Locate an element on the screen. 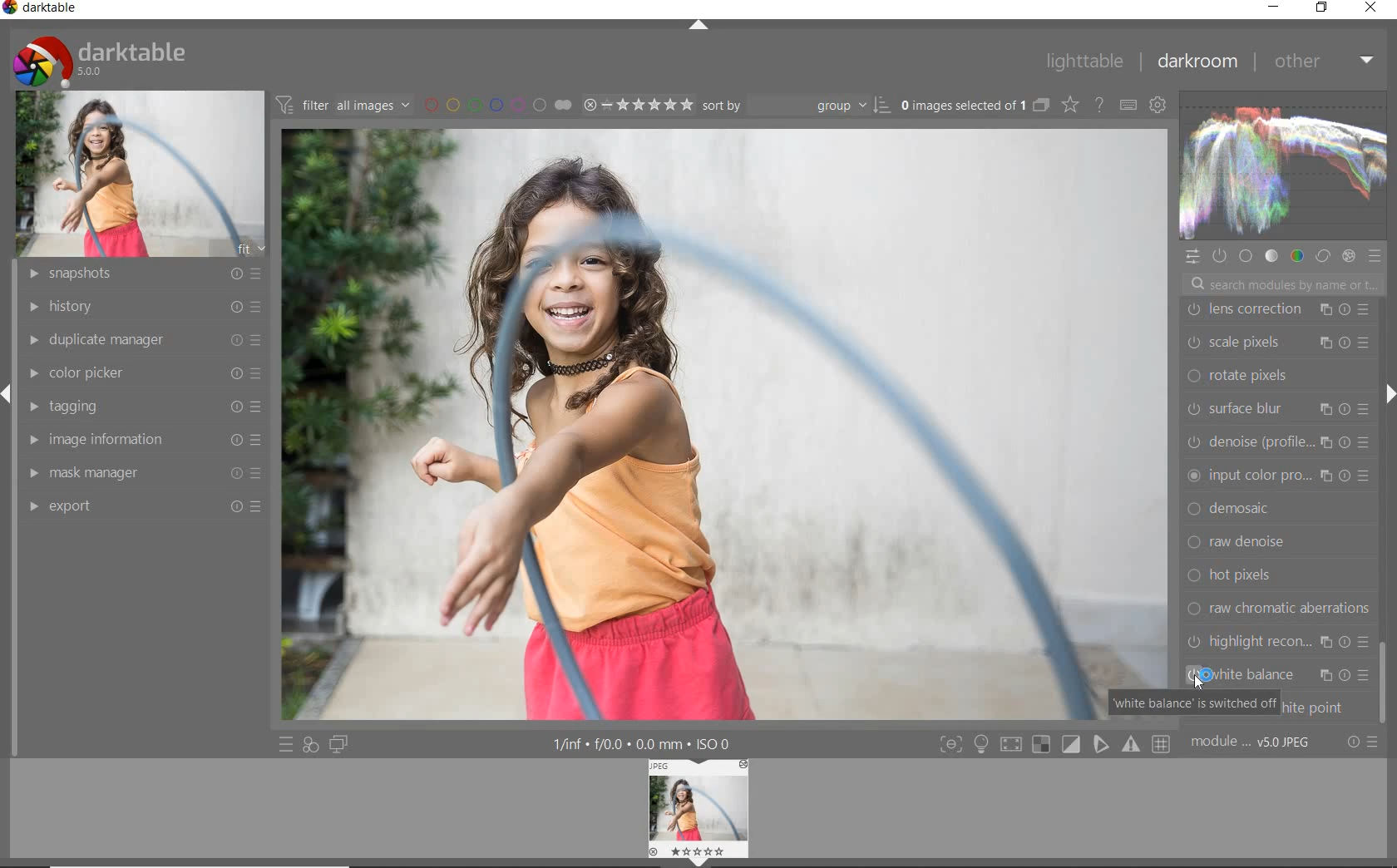 The width and height of the screenshot is (1397, 868). show only active module is located at coordinates (1221, 257).